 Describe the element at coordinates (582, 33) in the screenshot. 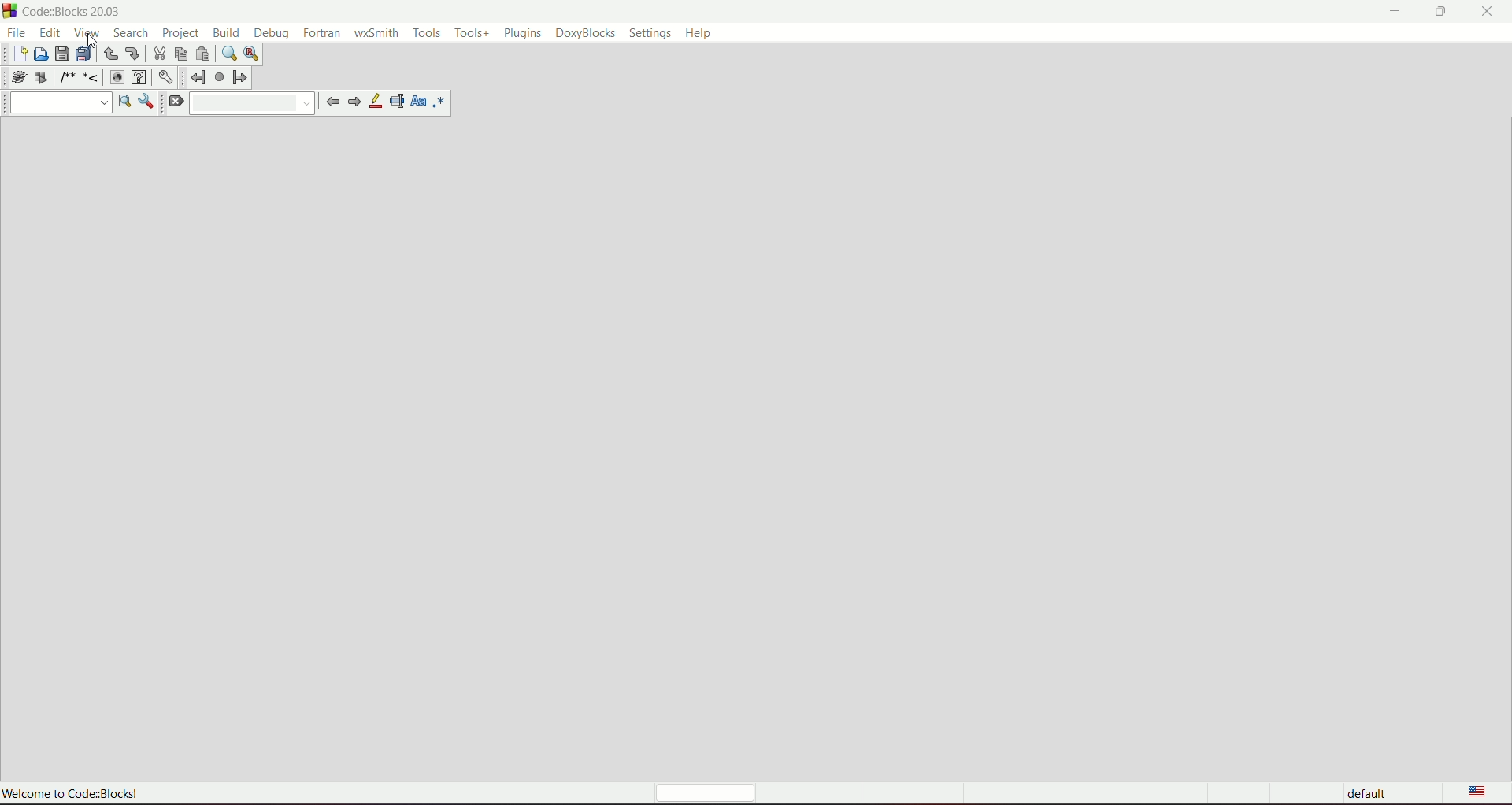

I see `doxyblocks` at that location.